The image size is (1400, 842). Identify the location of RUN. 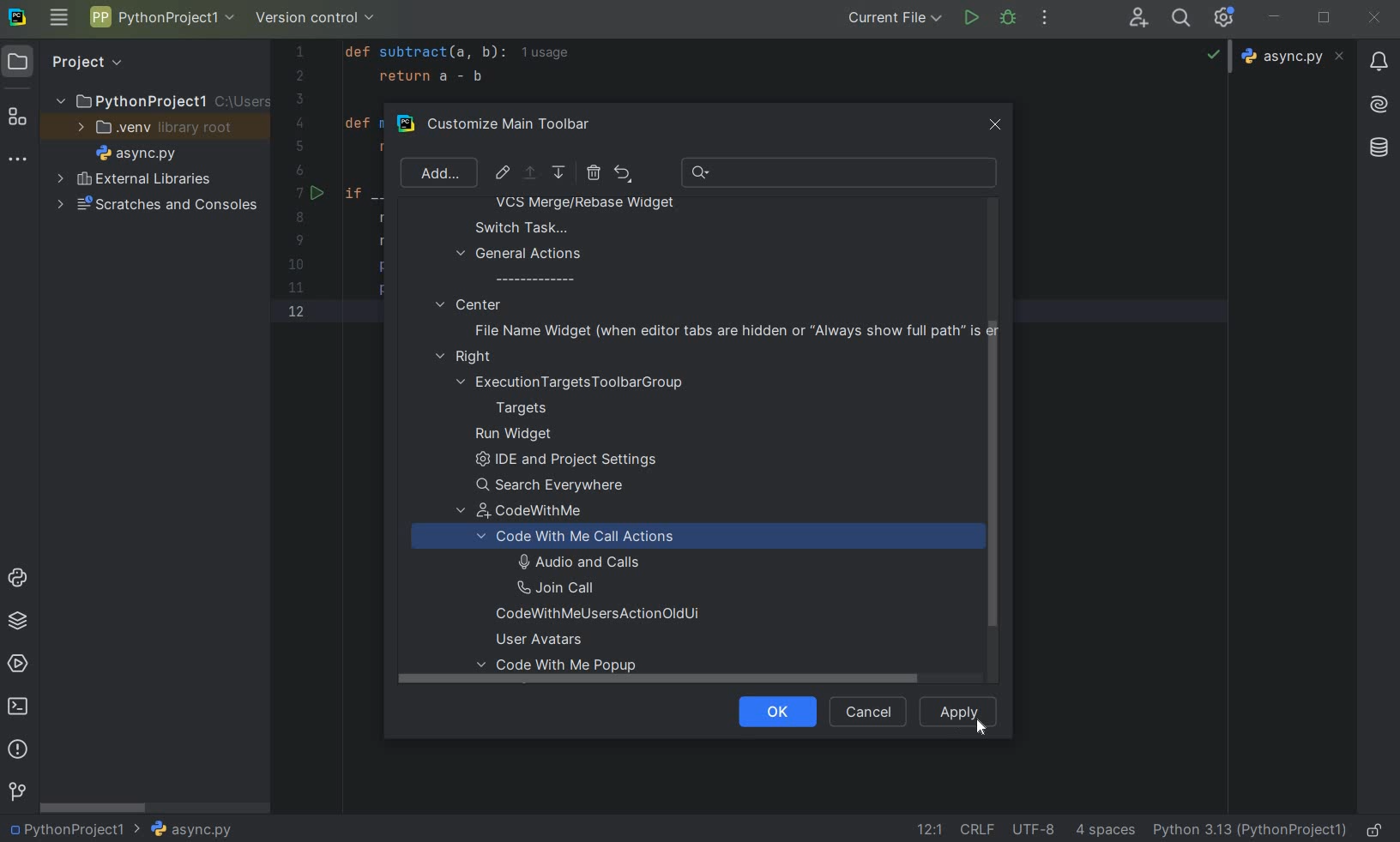
(973, 19).